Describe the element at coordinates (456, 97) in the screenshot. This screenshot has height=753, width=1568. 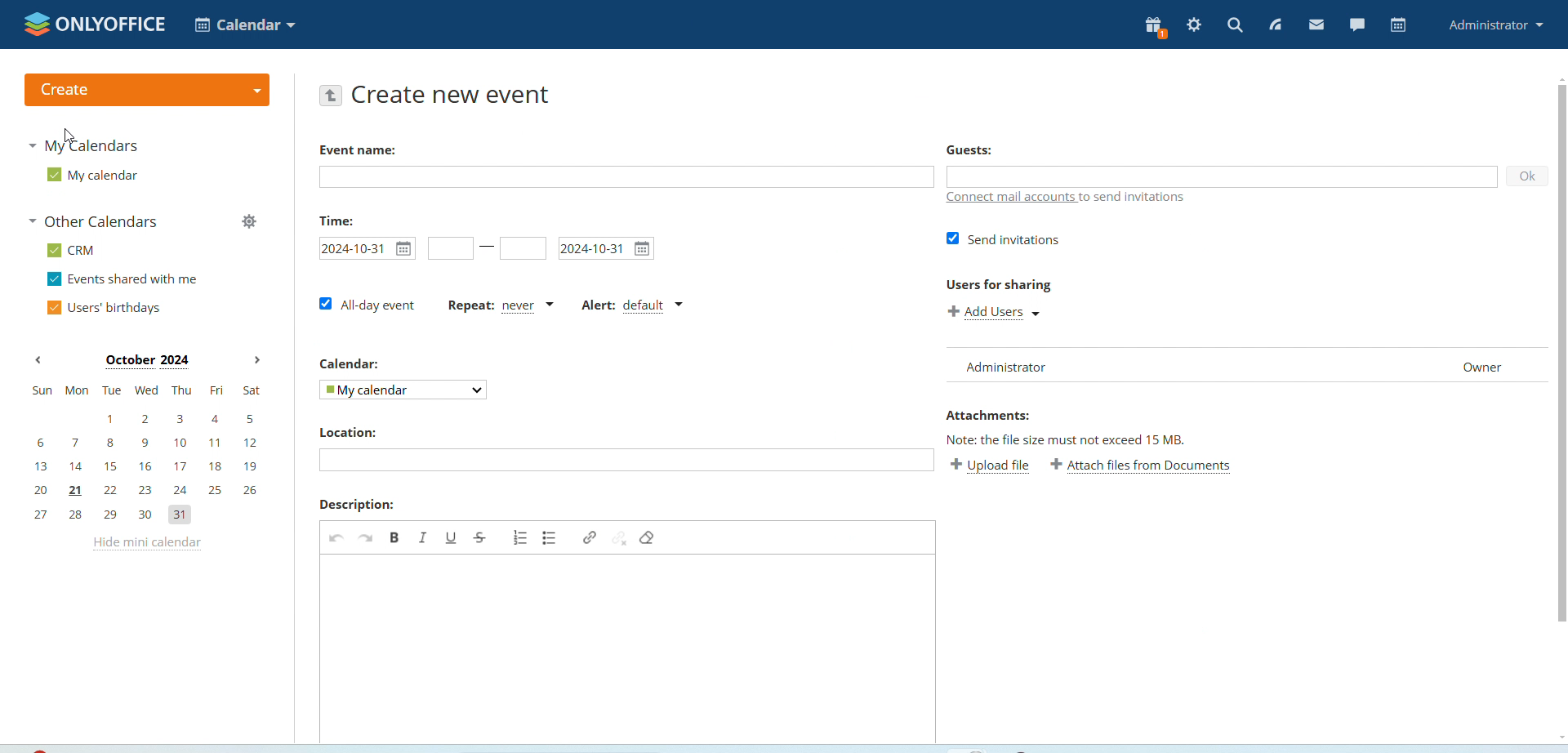
I see `create new event` at that location.